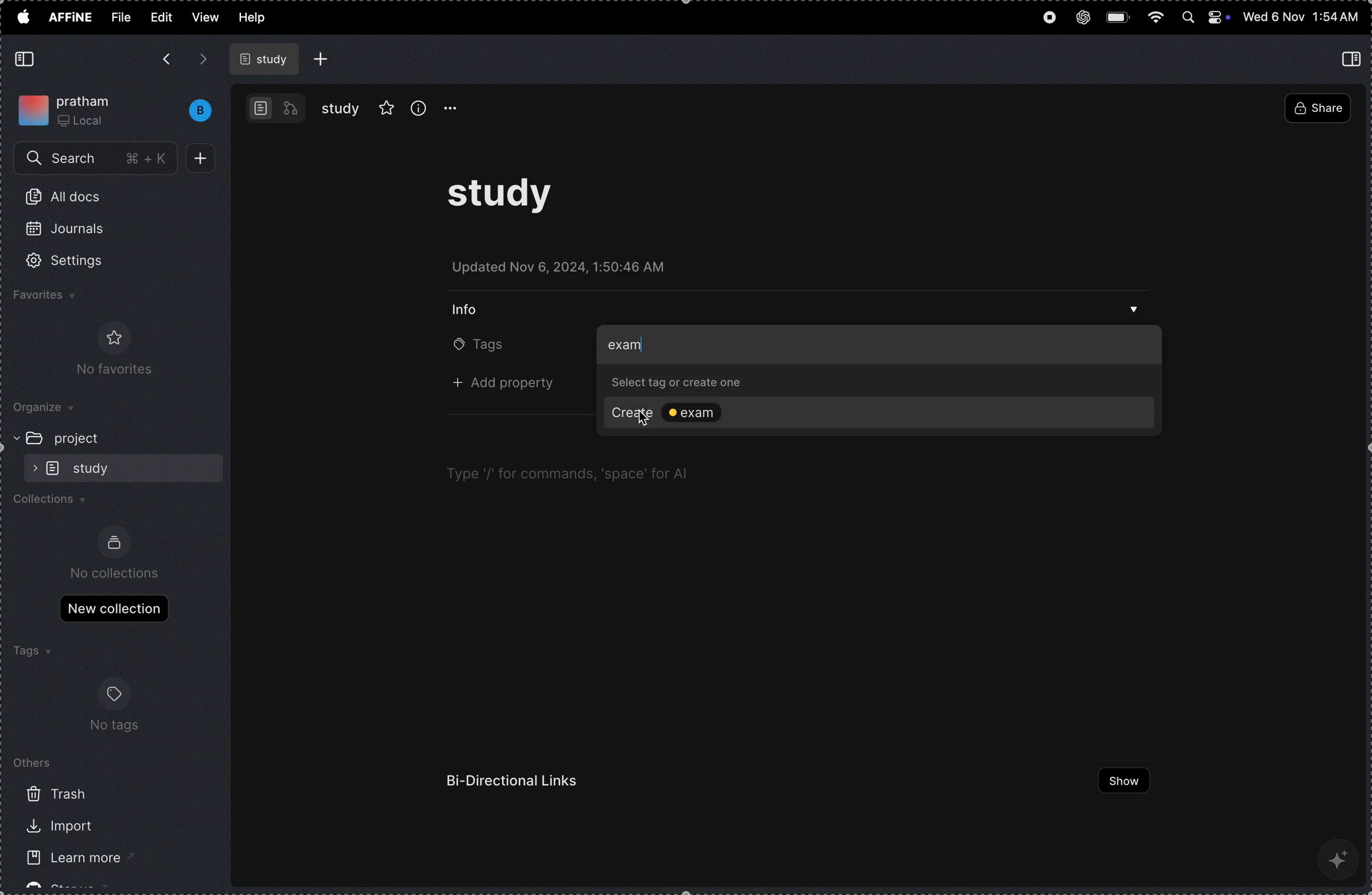 The image size is (1372, 895). What do you see at coordinates (97, 159) in the screenshot?
I see `search menu` at bounding box center [97, 159].